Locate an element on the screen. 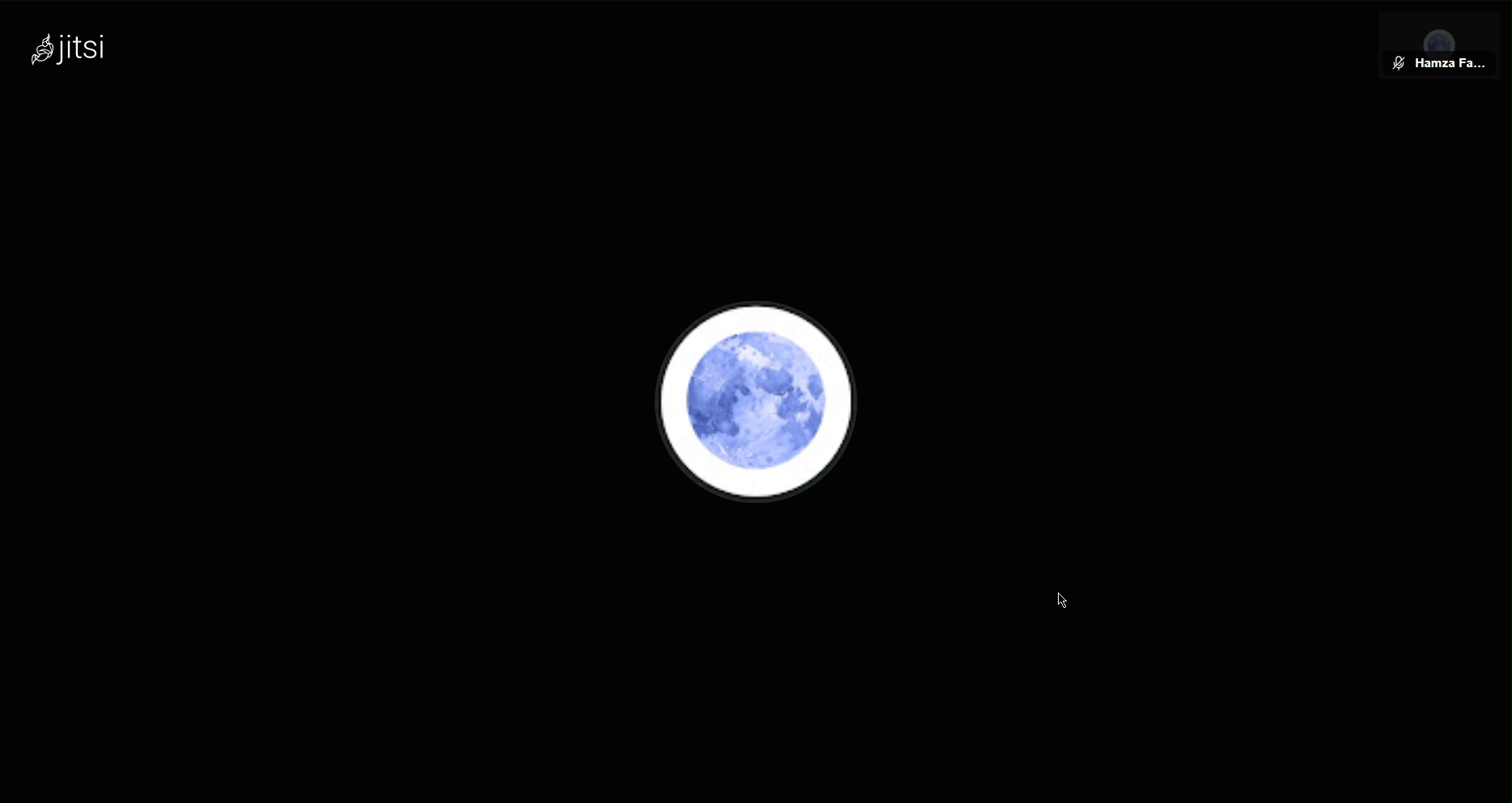 This screenshot has height=803, width=1512. Member View is located at coordinates (1441, 52).